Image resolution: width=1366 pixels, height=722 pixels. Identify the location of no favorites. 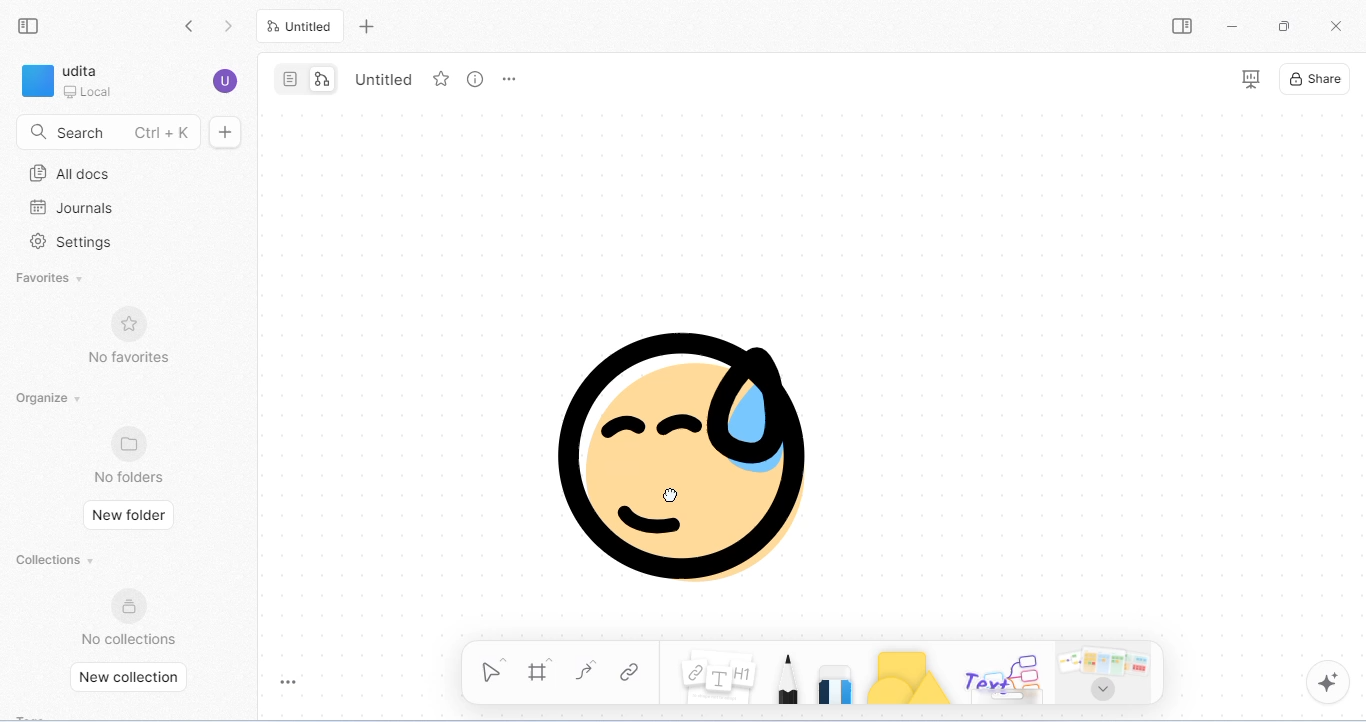
(126, 333).